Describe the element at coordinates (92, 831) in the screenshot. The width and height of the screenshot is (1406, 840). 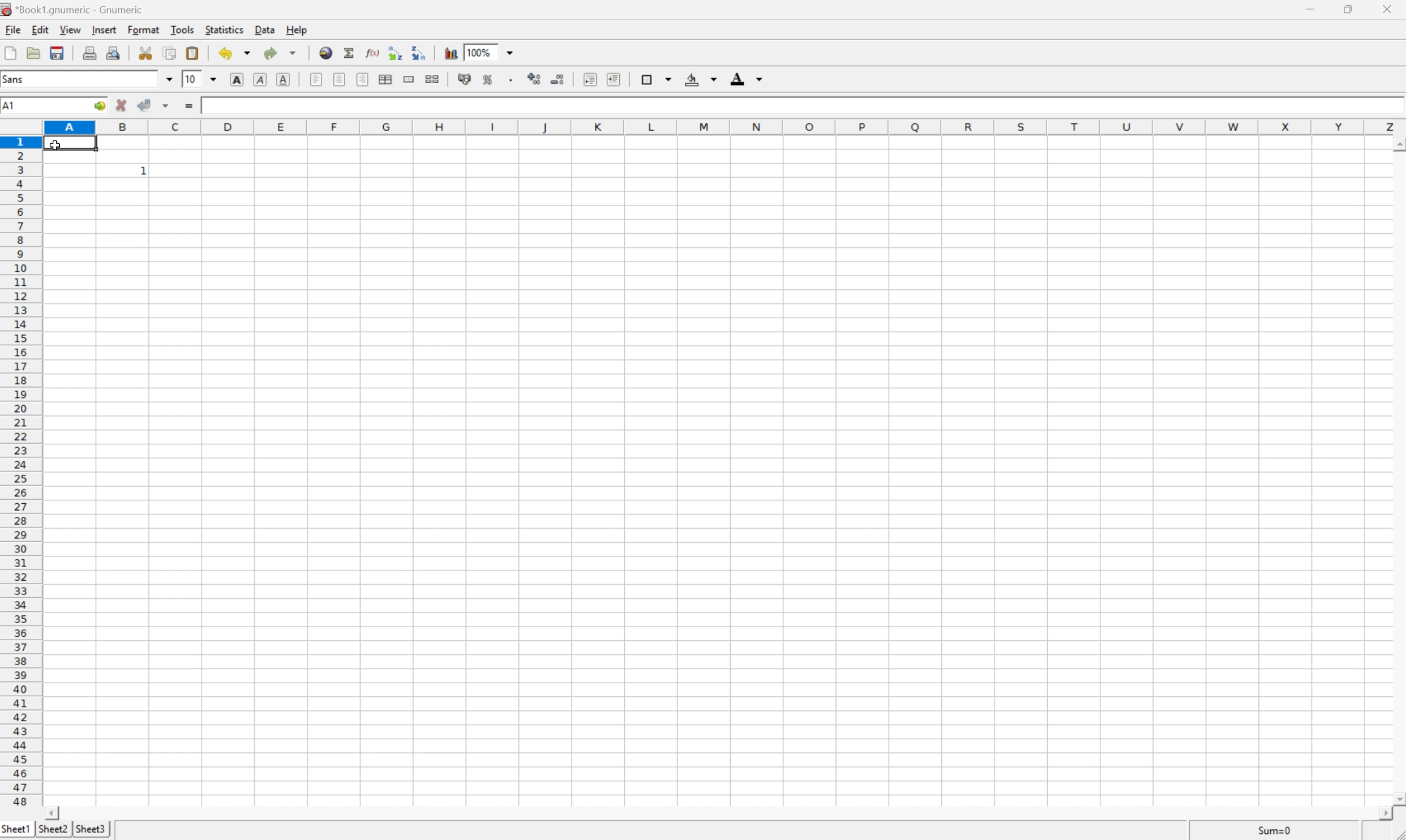
I see `sheet3` at that location.